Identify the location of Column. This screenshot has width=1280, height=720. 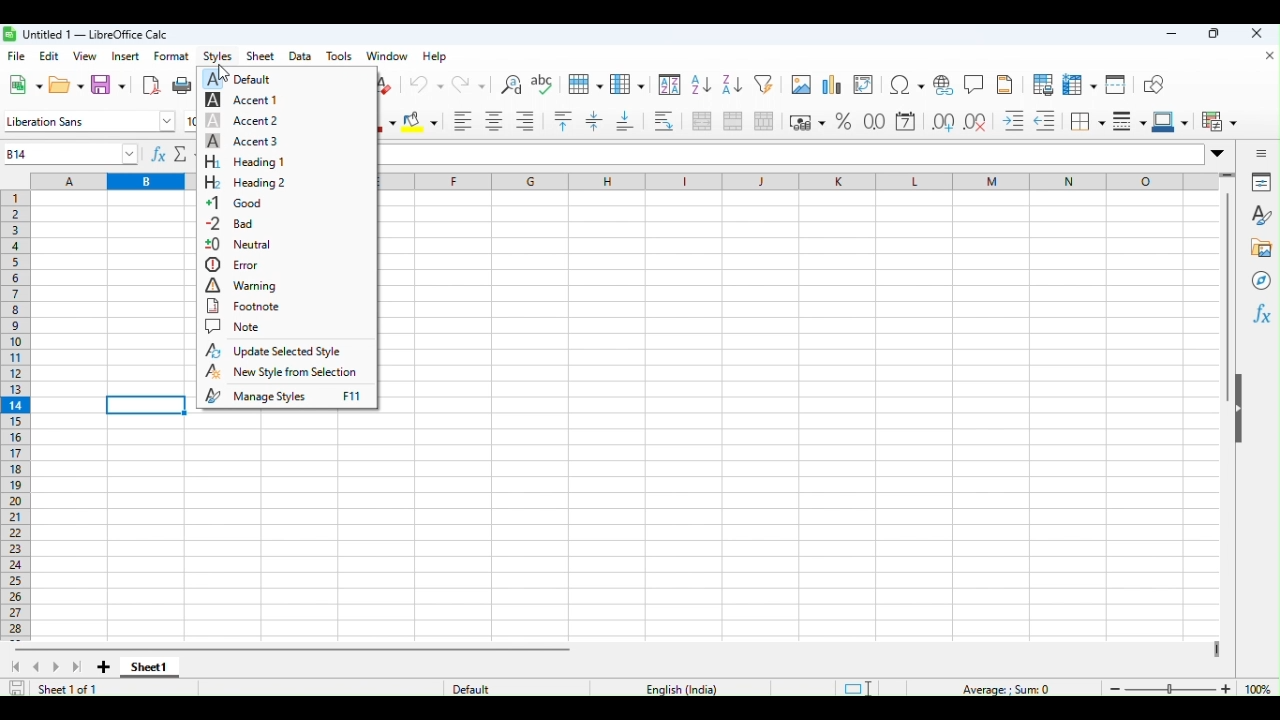
(627, 83).